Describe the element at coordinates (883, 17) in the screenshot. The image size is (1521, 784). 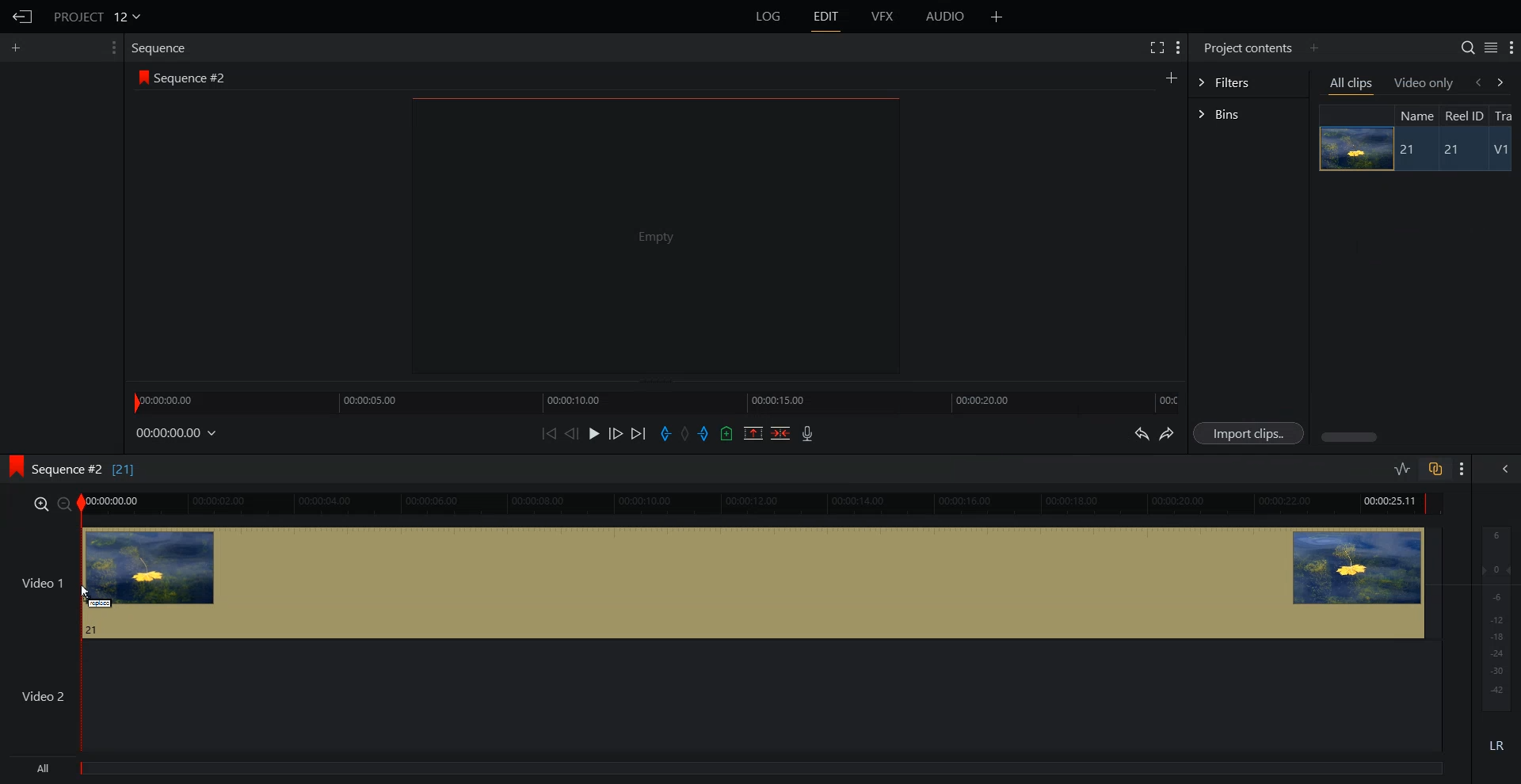
I see `VFX` at that location.